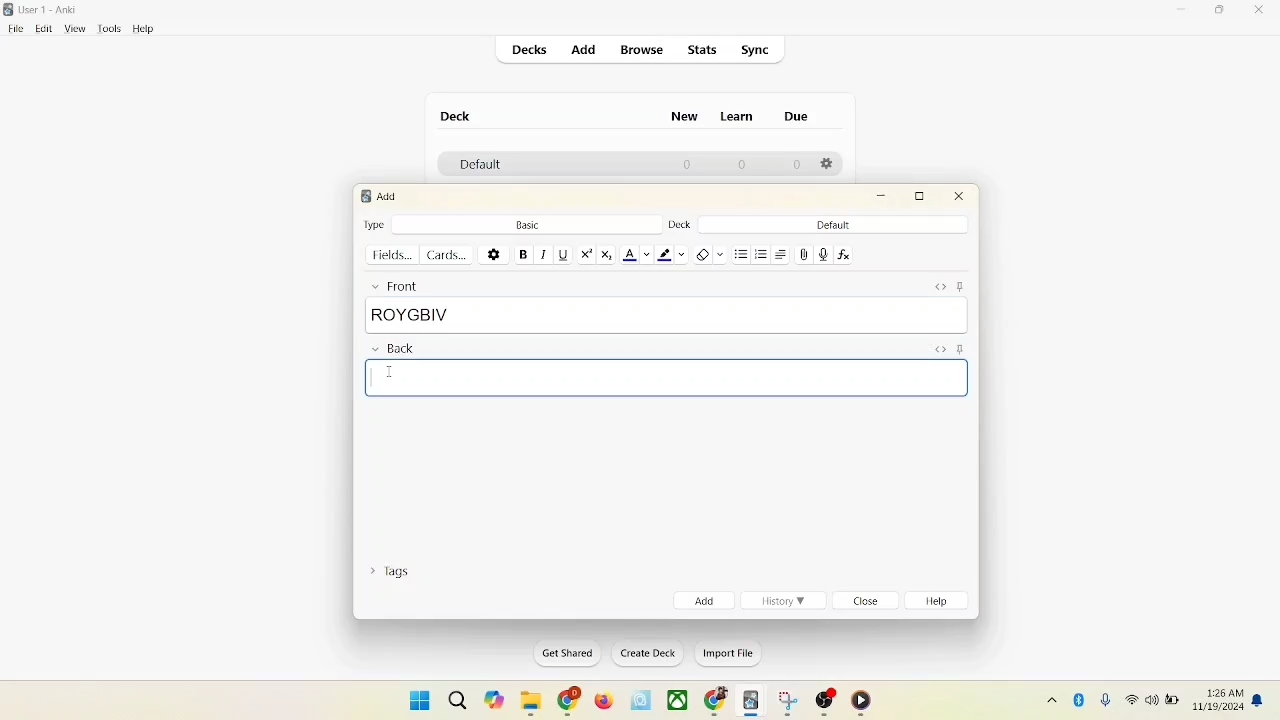  I want to click on typing, so click(669, 378).